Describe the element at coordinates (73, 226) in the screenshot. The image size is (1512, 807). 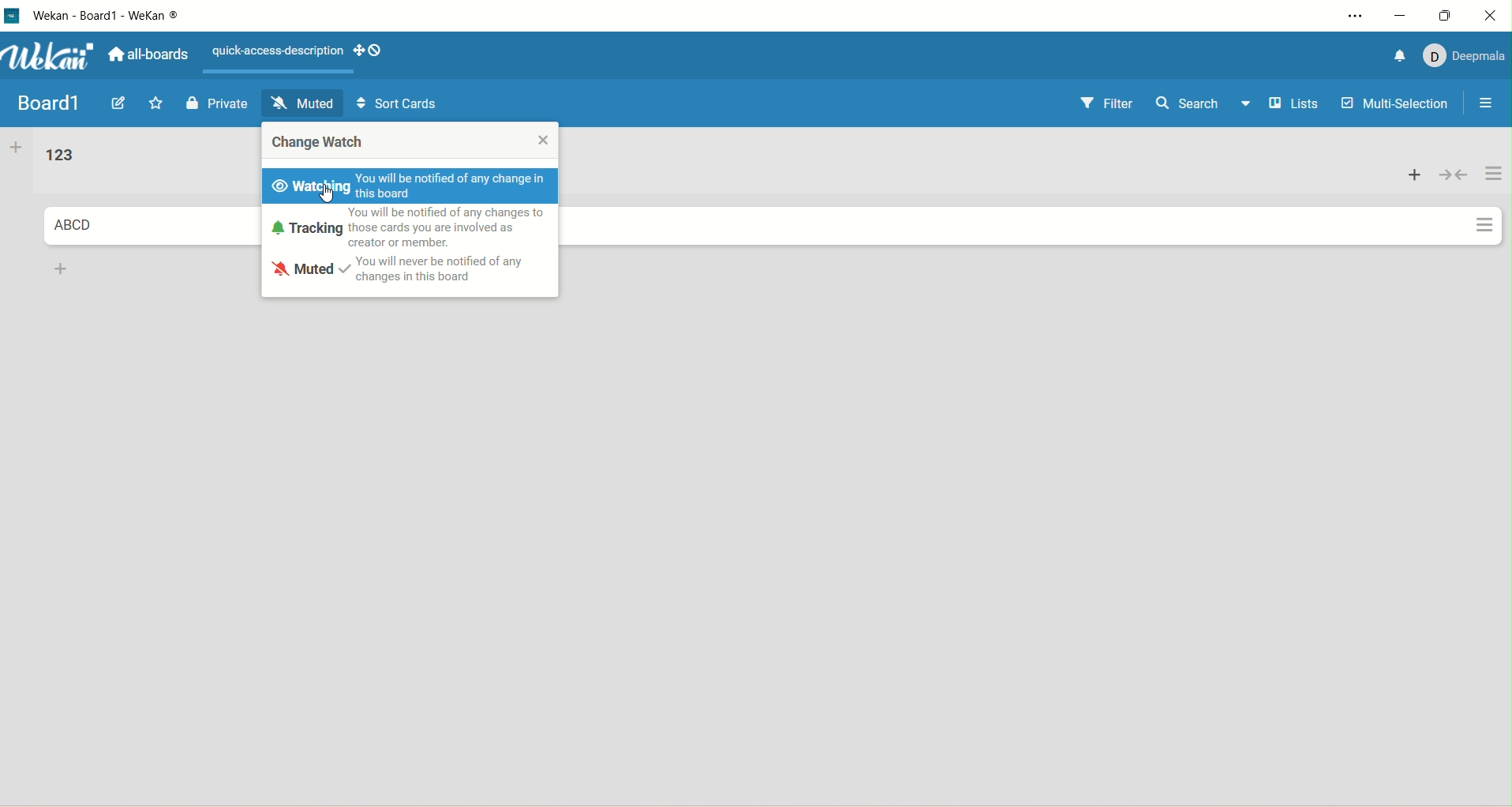
I see `card title` at that location.